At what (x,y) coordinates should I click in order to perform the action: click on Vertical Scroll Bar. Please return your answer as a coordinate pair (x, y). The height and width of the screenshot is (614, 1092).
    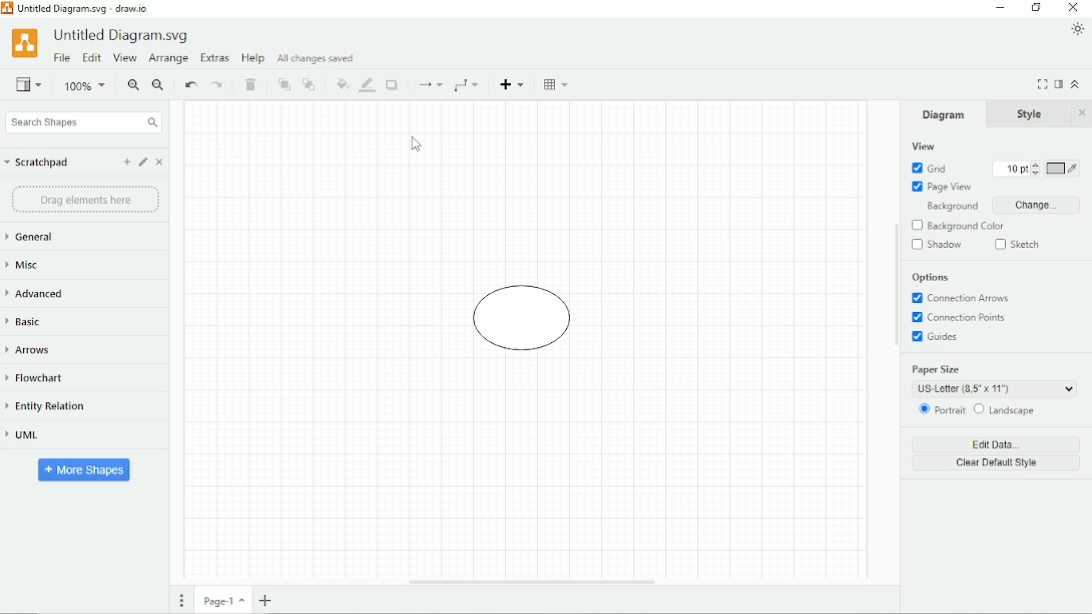
    Looking at the image, I should click on (895, 343).